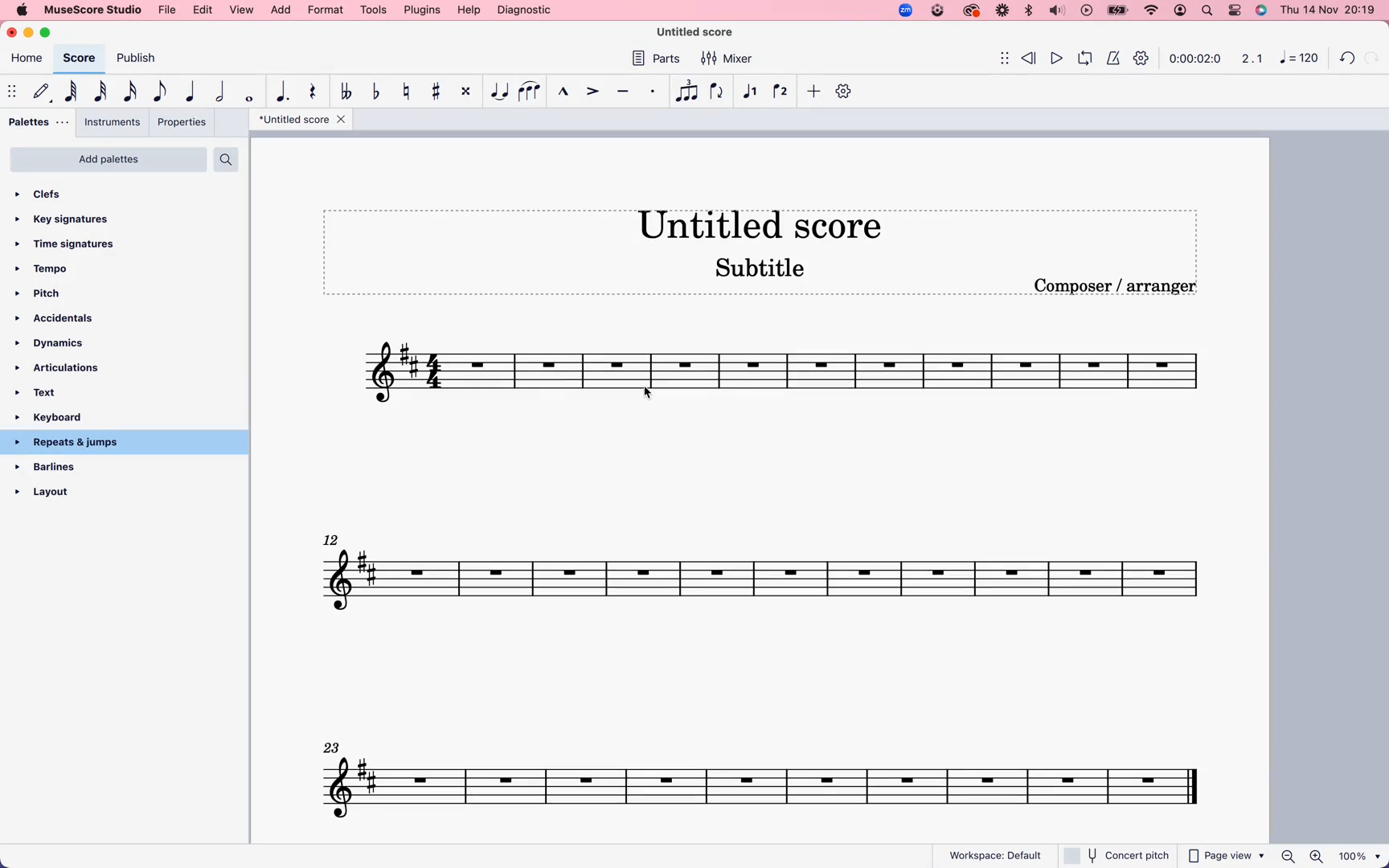 This screenshot has width=1389, height=868. What do you see at coordinates (649, 397) in the screenshot?
I see `cursor` at bounding box center [649, 397].